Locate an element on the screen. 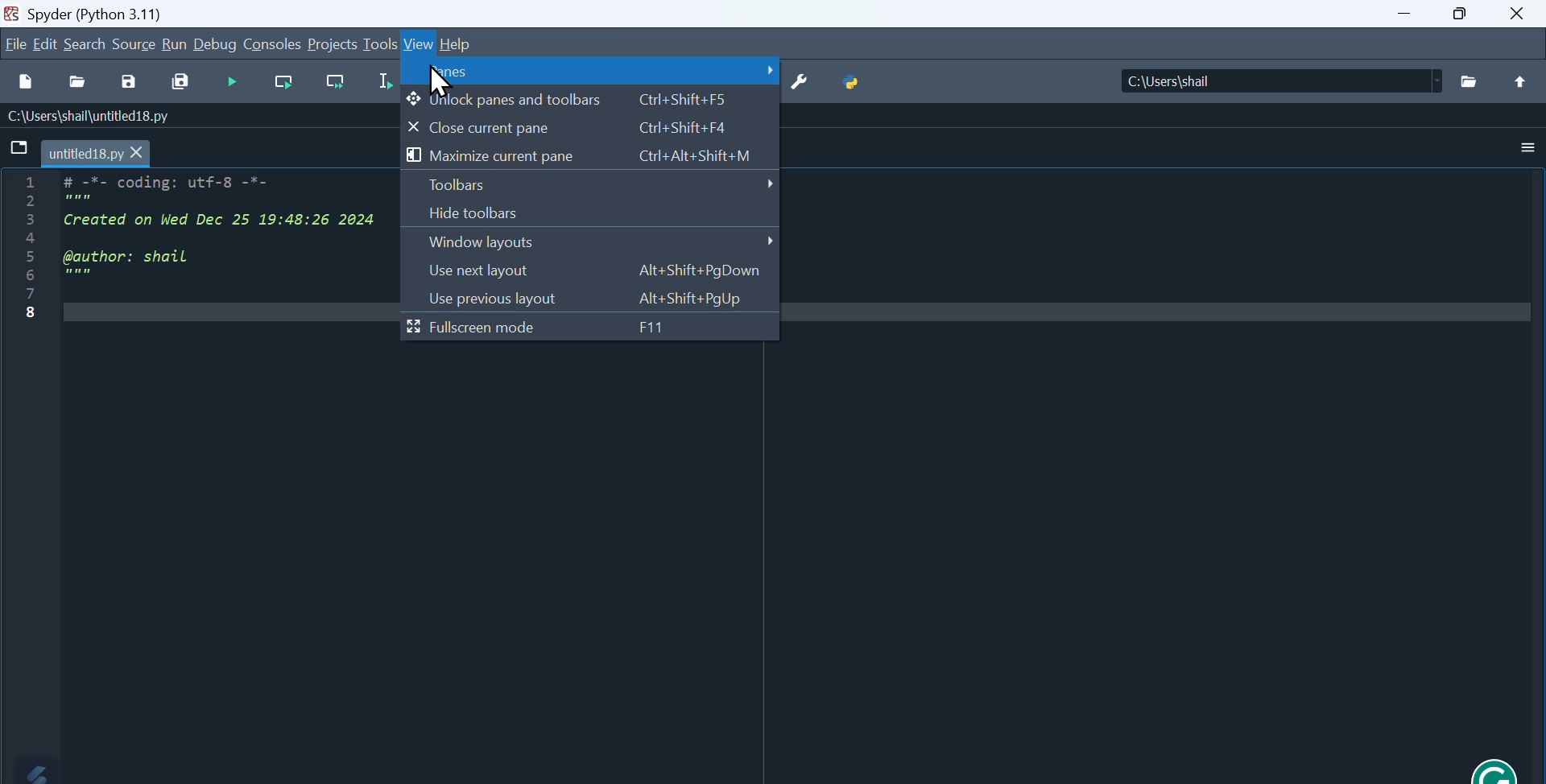 This screenshot has width=1546, height=784. Toolbars is located at coordinates (593, 184).